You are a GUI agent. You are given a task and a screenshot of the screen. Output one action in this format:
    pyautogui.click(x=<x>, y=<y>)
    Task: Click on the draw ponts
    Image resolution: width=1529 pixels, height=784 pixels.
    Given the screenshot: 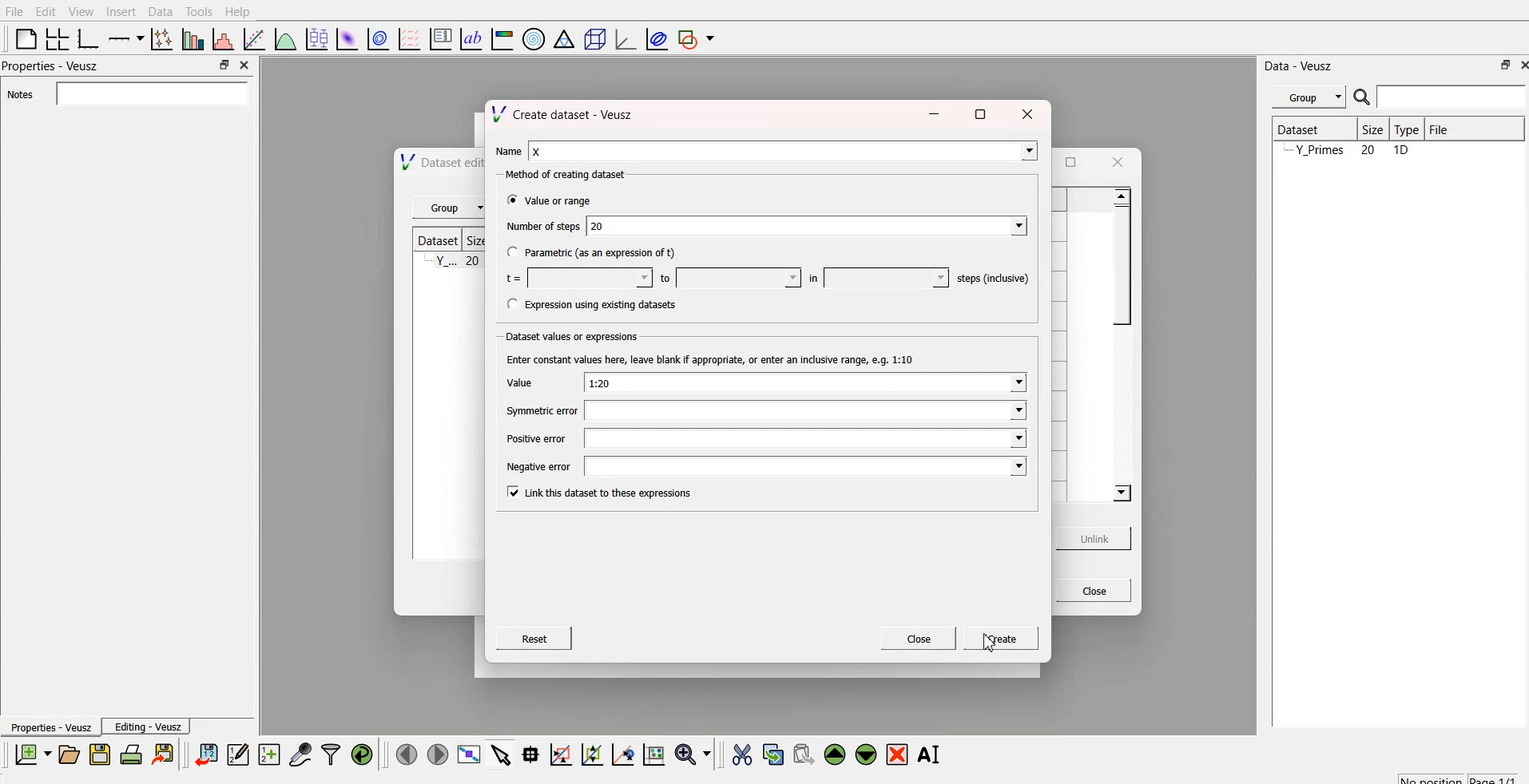 What is the action you would take?
    pyautogui.click(x=591, y=754)
    